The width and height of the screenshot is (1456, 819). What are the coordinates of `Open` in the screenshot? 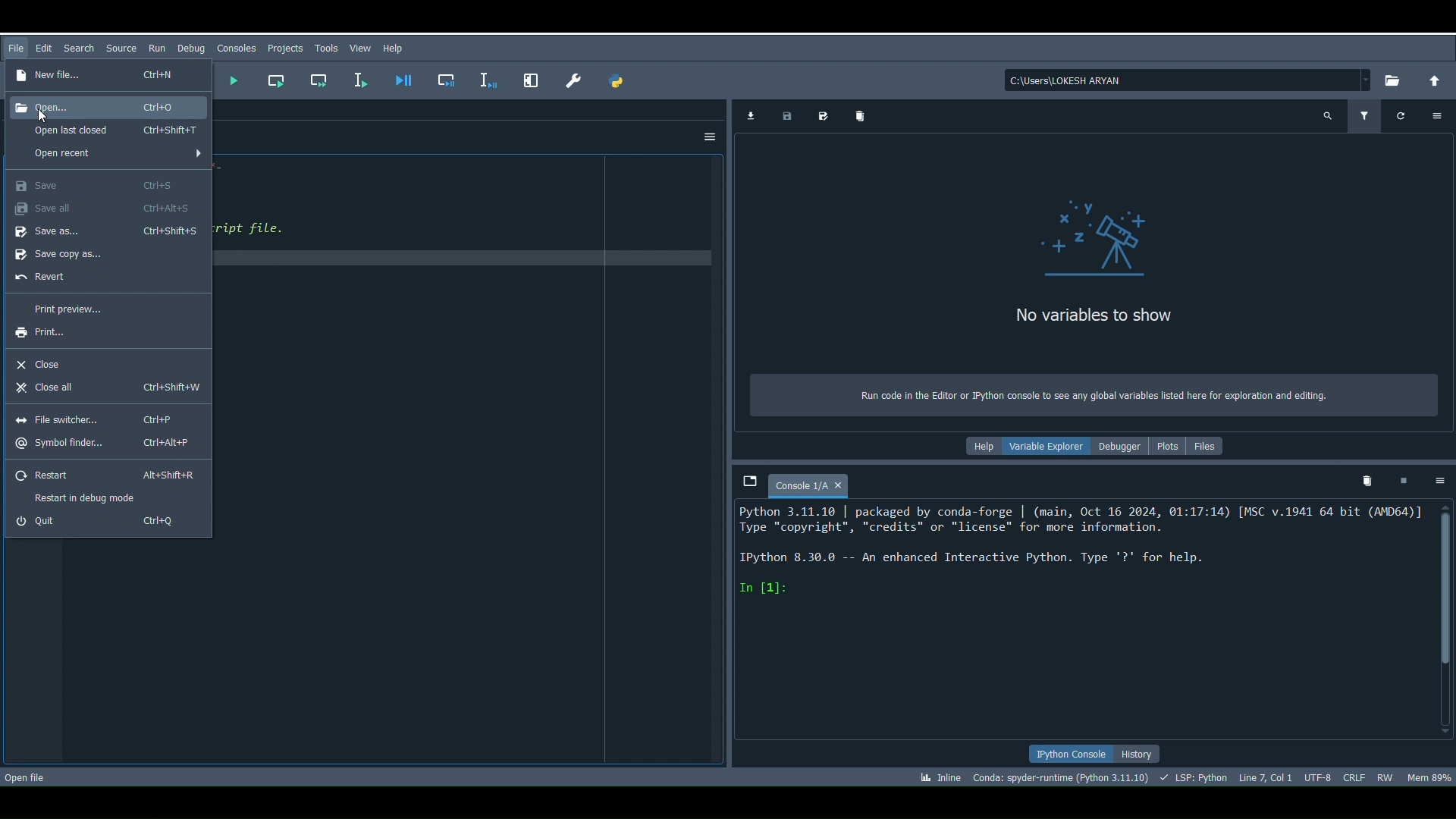 It's located at (110, 105).